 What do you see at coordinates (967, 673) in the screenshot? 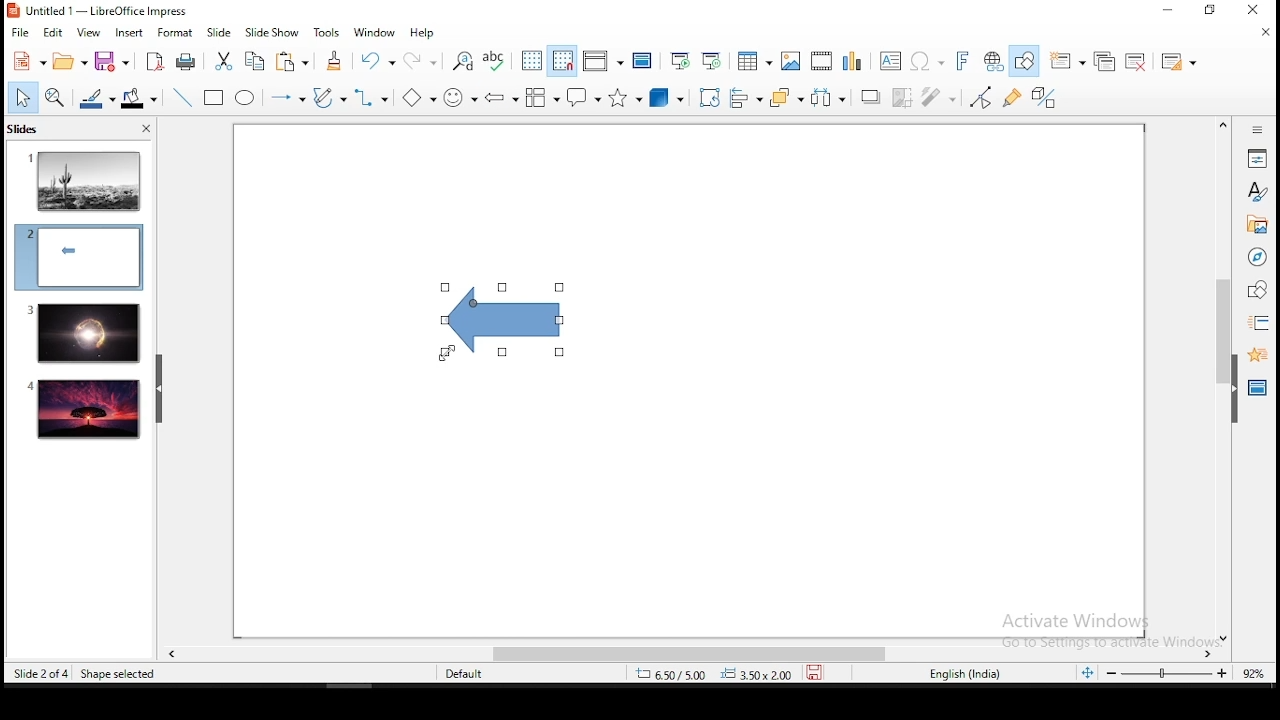
I see `english (india)` at bounding box center [967, 673].